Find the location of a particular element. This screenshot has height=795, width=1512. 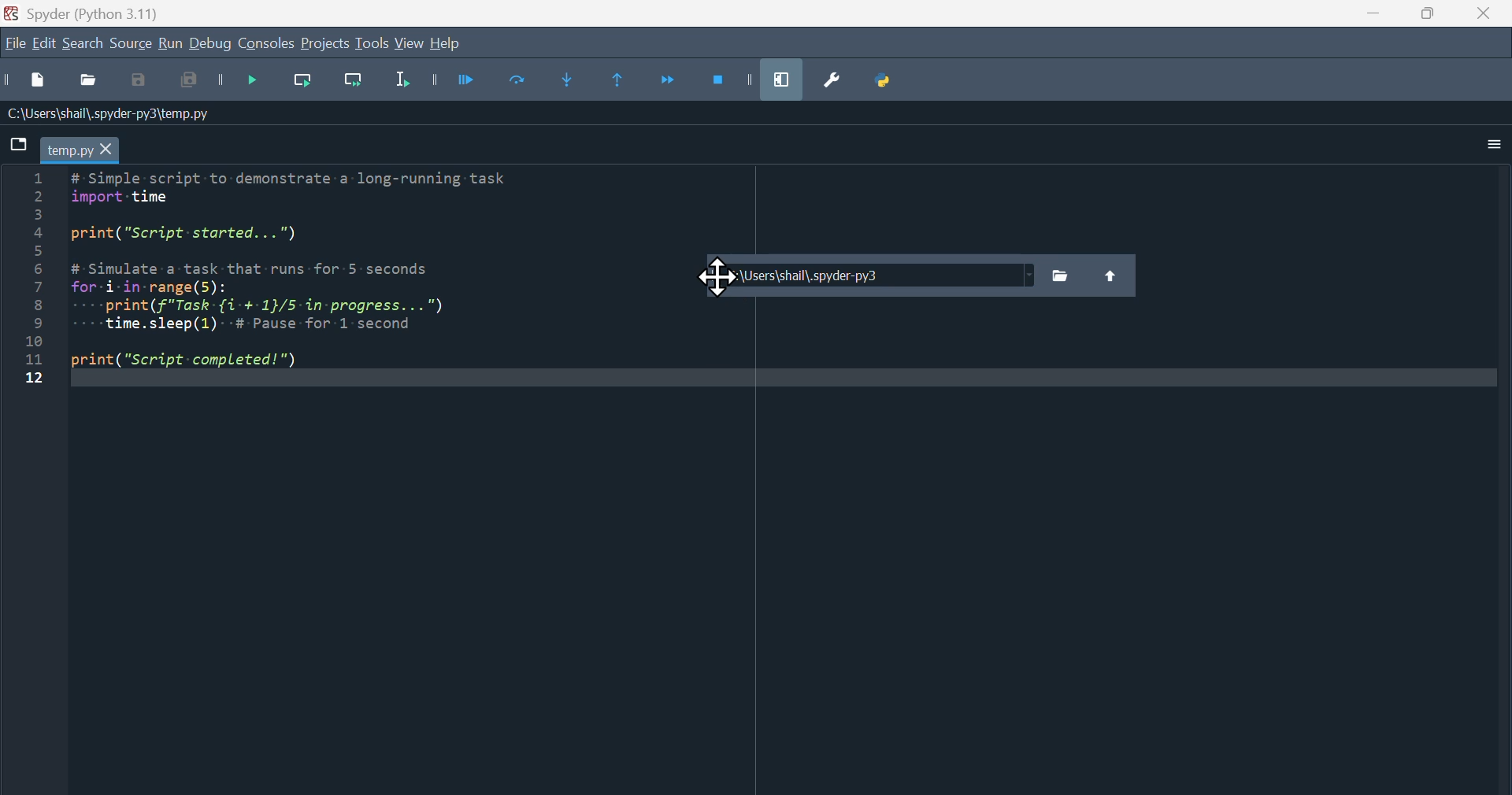

Python code is located at coordinates (283, 282).